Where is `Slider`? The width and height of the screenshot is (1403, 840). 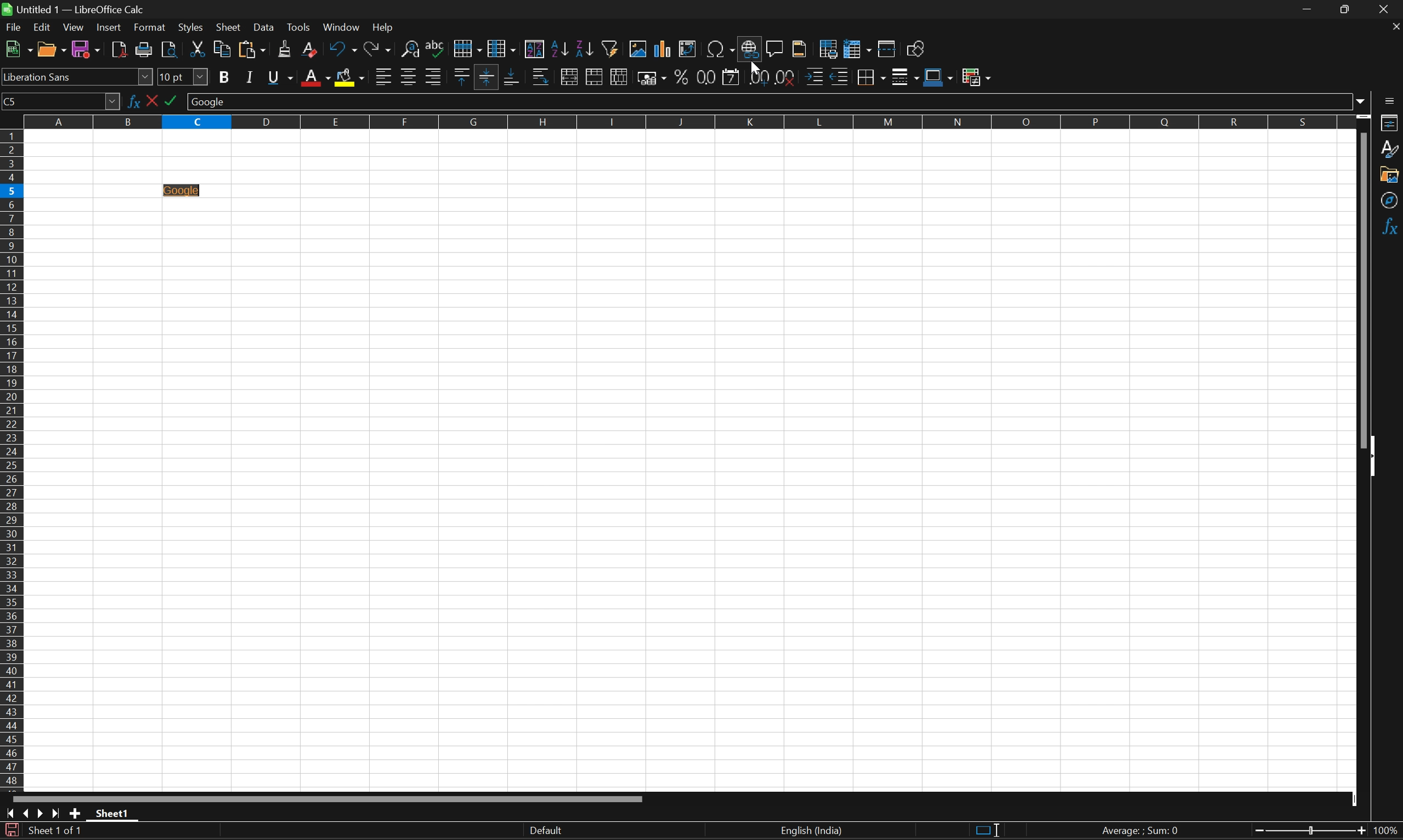 Slider is located at coordinates (1309, 832).